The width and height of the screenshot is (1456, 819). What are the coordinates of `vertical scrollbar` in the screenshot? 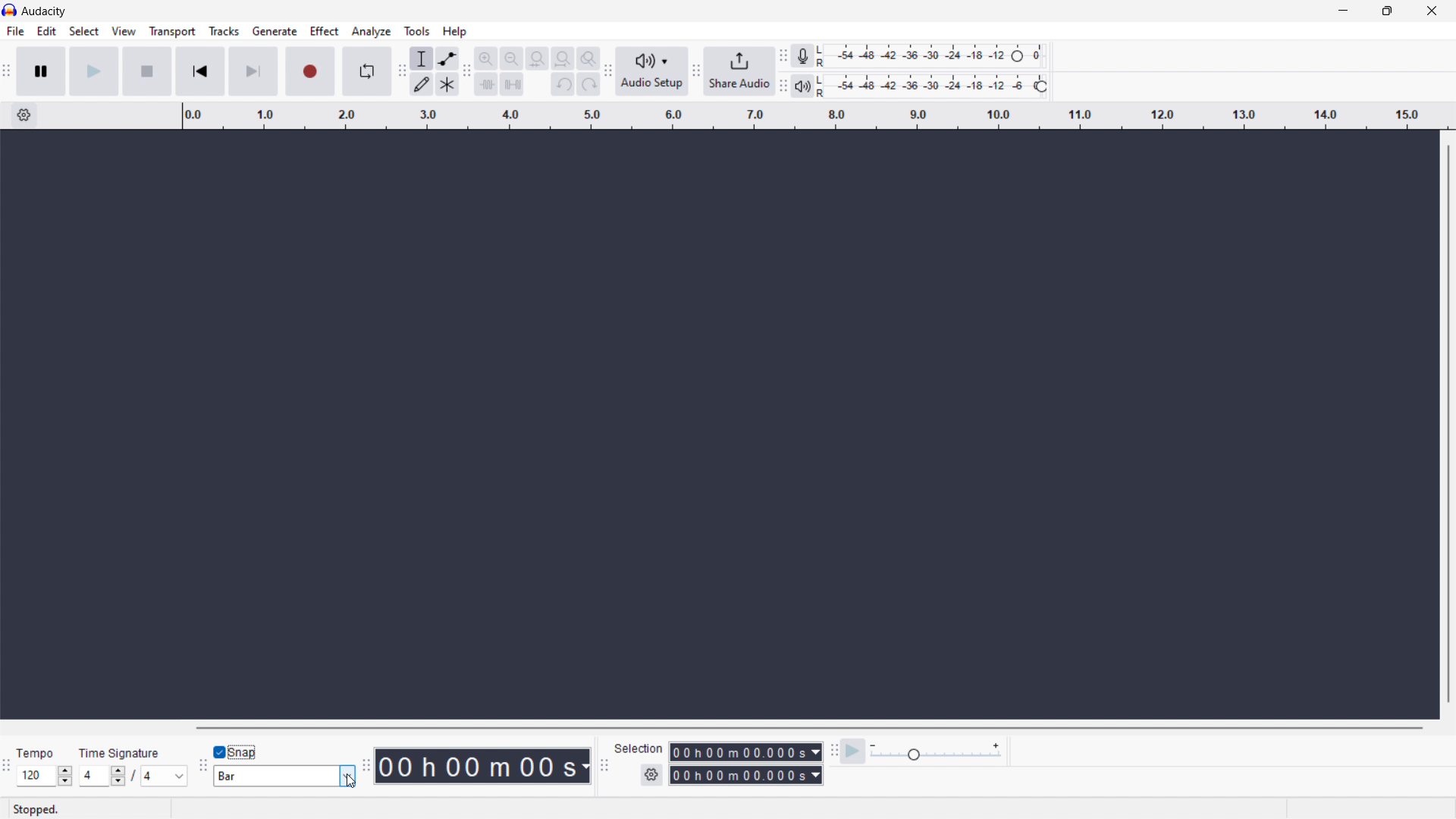 It's located at (1453, 423).